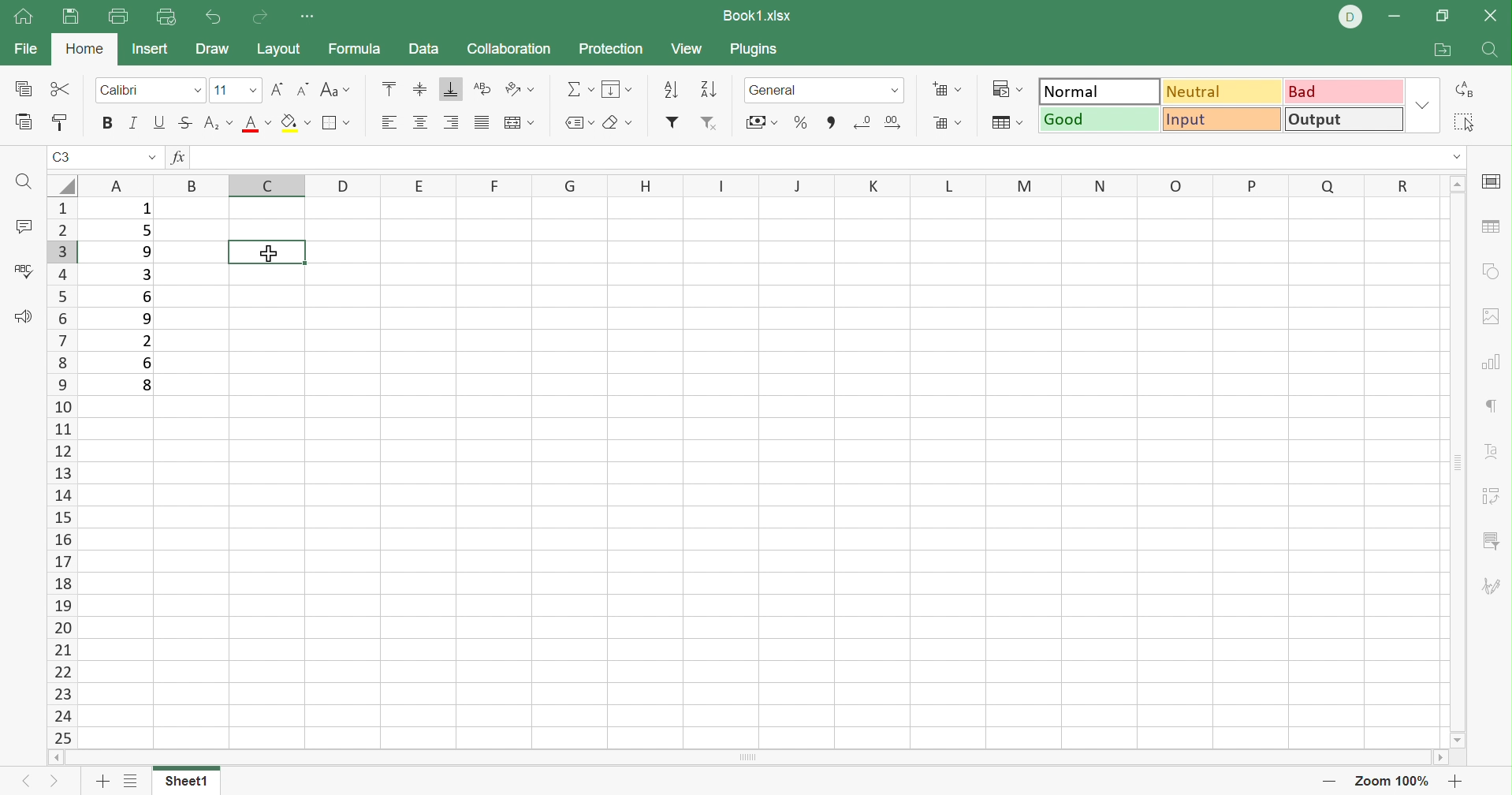  I want to click on Home, so click(86, 50).